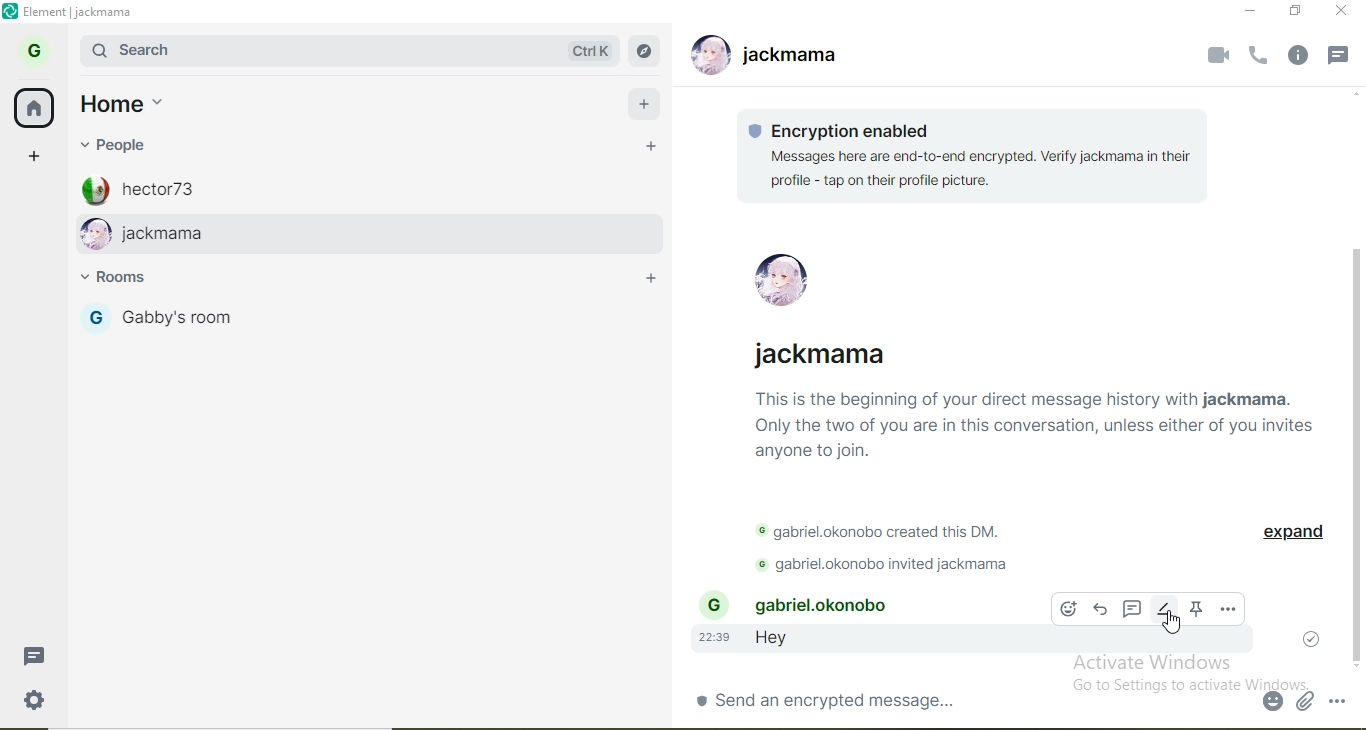  Describe the element at coordinates (94, 235) in the screenshot. I see `profile image` at that location.